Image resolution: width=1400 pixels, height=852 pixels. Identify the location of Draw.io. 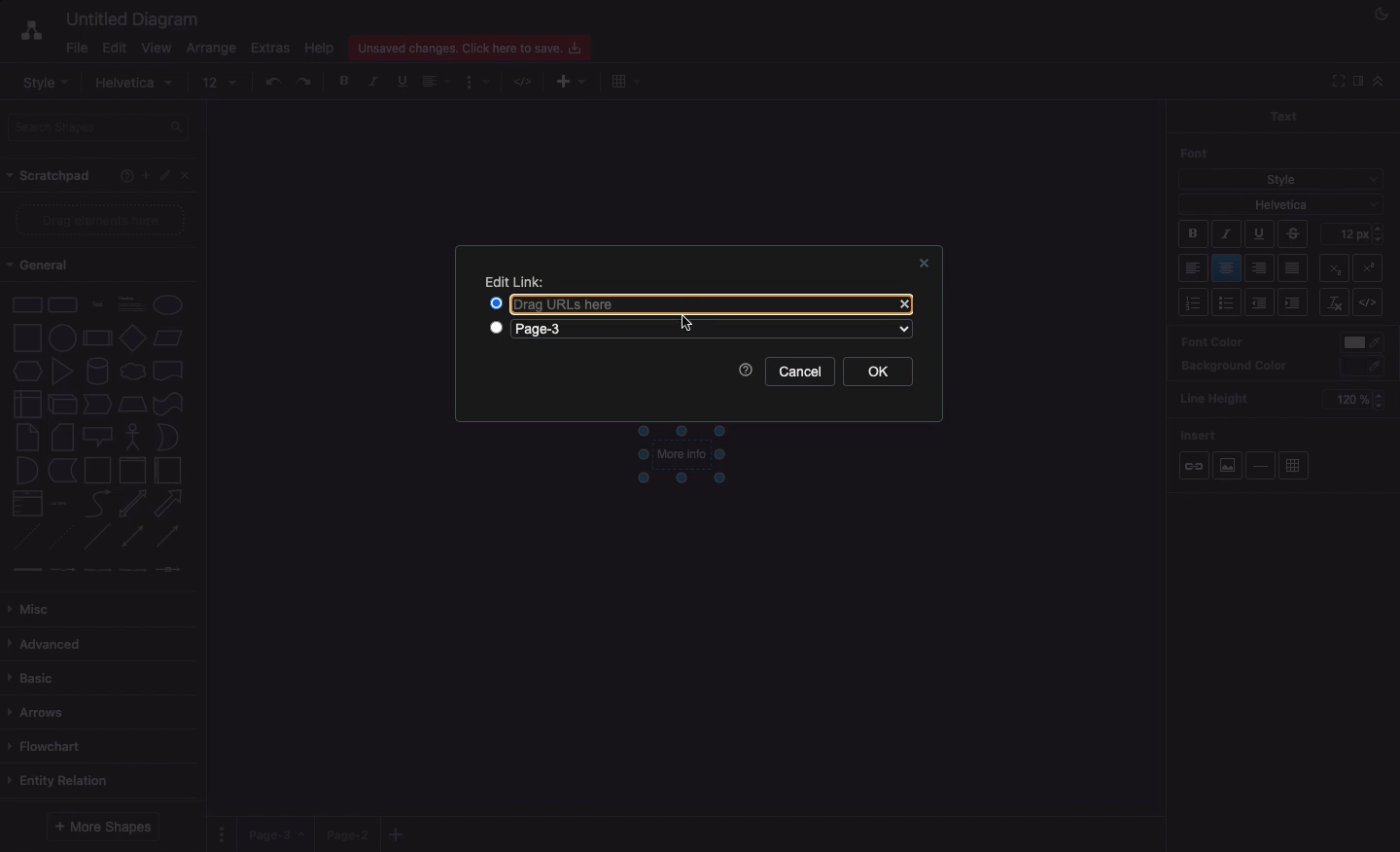
(21, 33).